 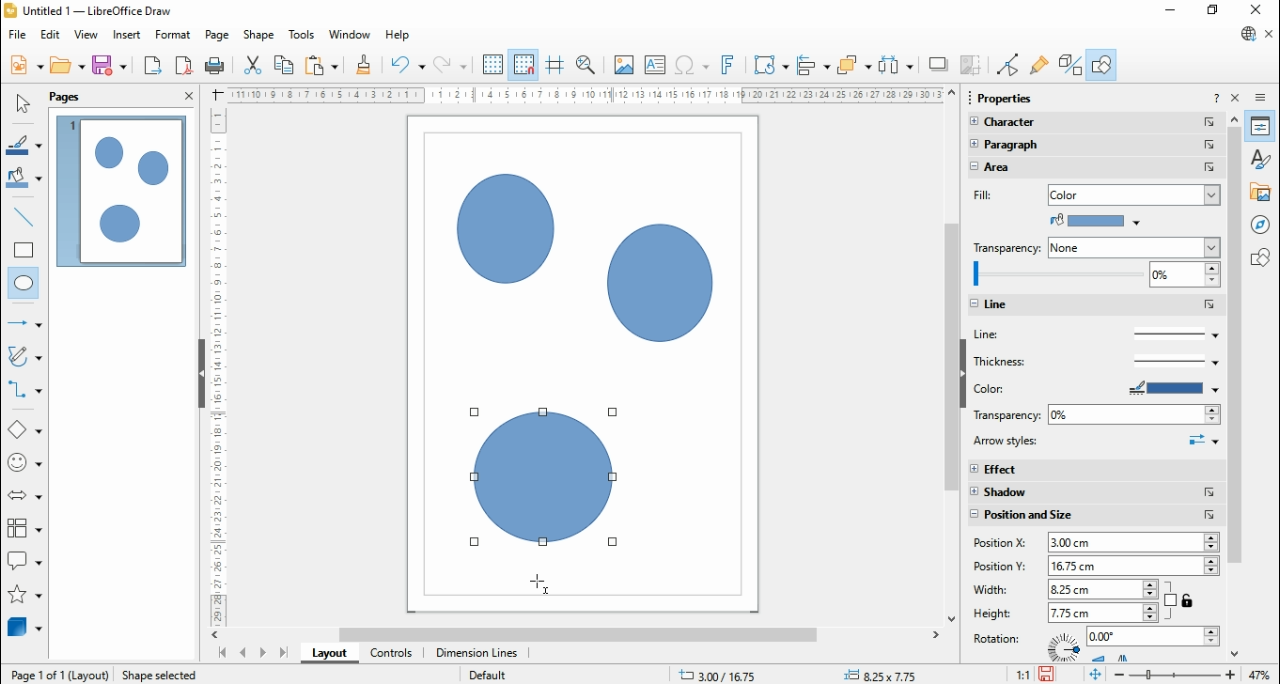 What do you see at coordinates (962, 374) in the screenshot?
I see `hide` at bounding box center [962, 374].